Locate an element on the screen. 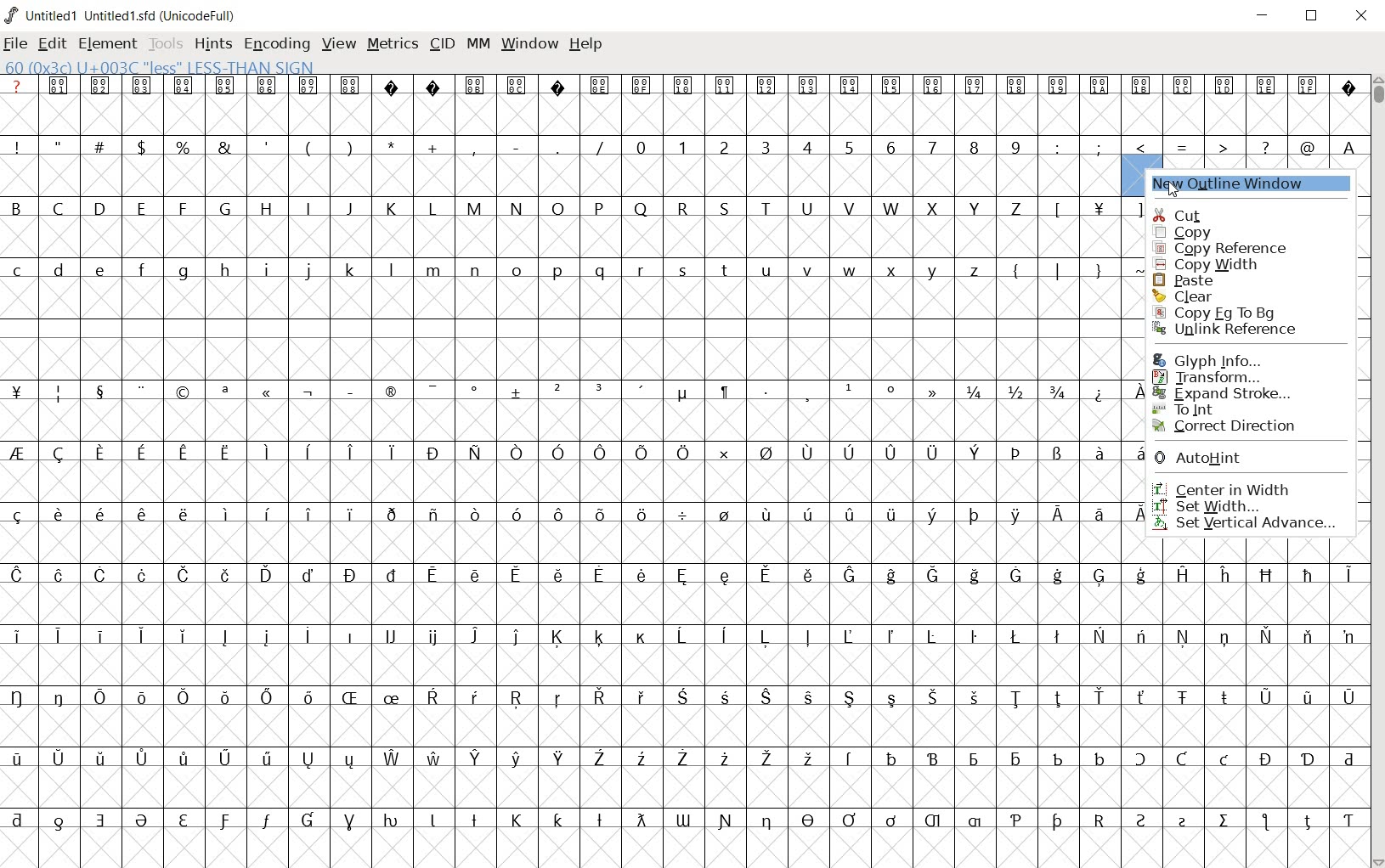  fractions  is located at coordinates (1015, 389).